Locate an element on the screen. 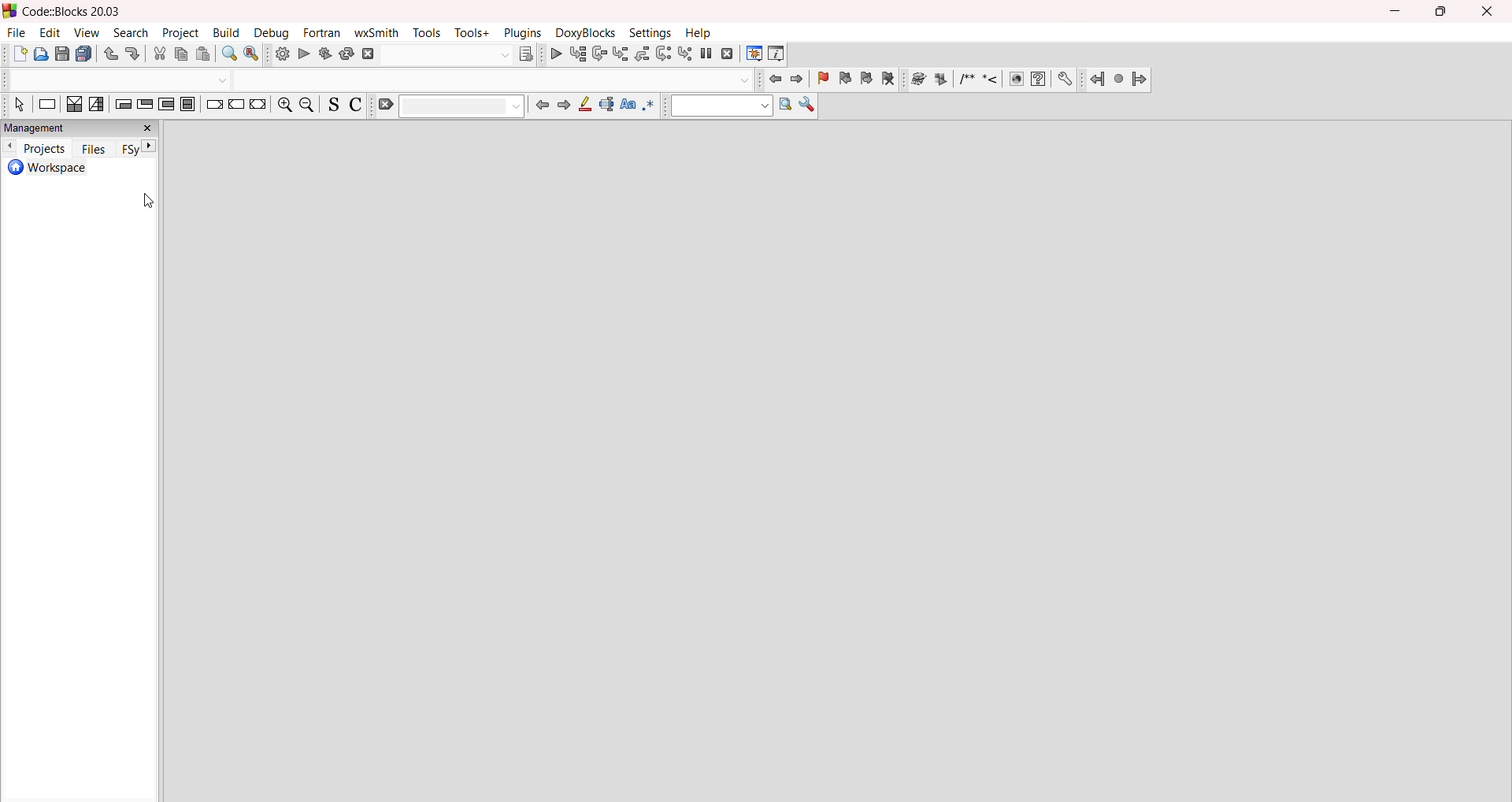  break debugger is located at coordinates (706, 54).